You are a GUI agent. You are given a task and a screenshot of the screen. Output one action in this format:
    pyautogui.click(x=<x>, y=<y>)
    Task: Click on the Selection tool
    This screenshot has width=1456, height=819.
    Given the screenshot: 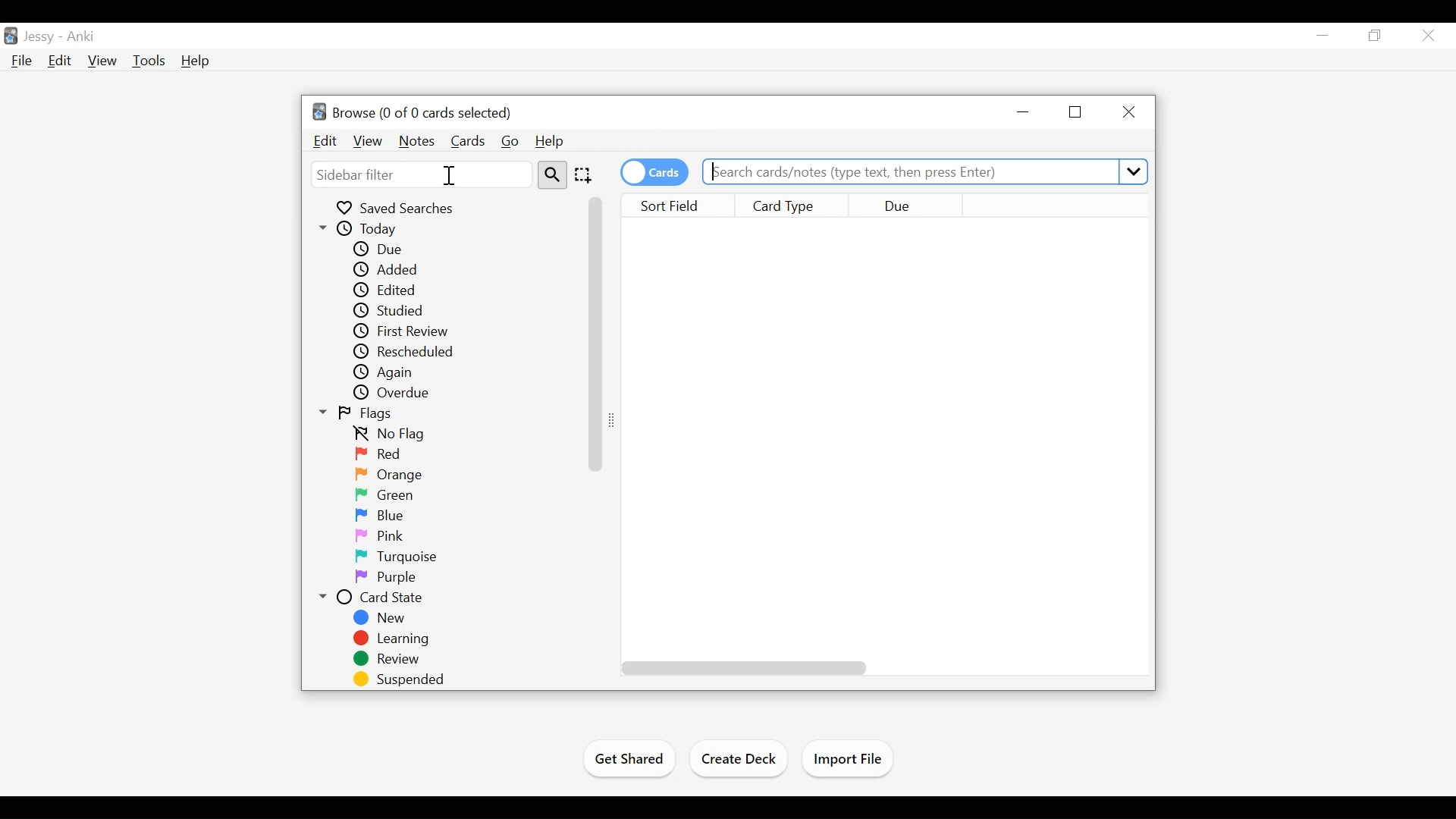 What is the action you would take?
    pyautogui.click(x=585, y=175)
    